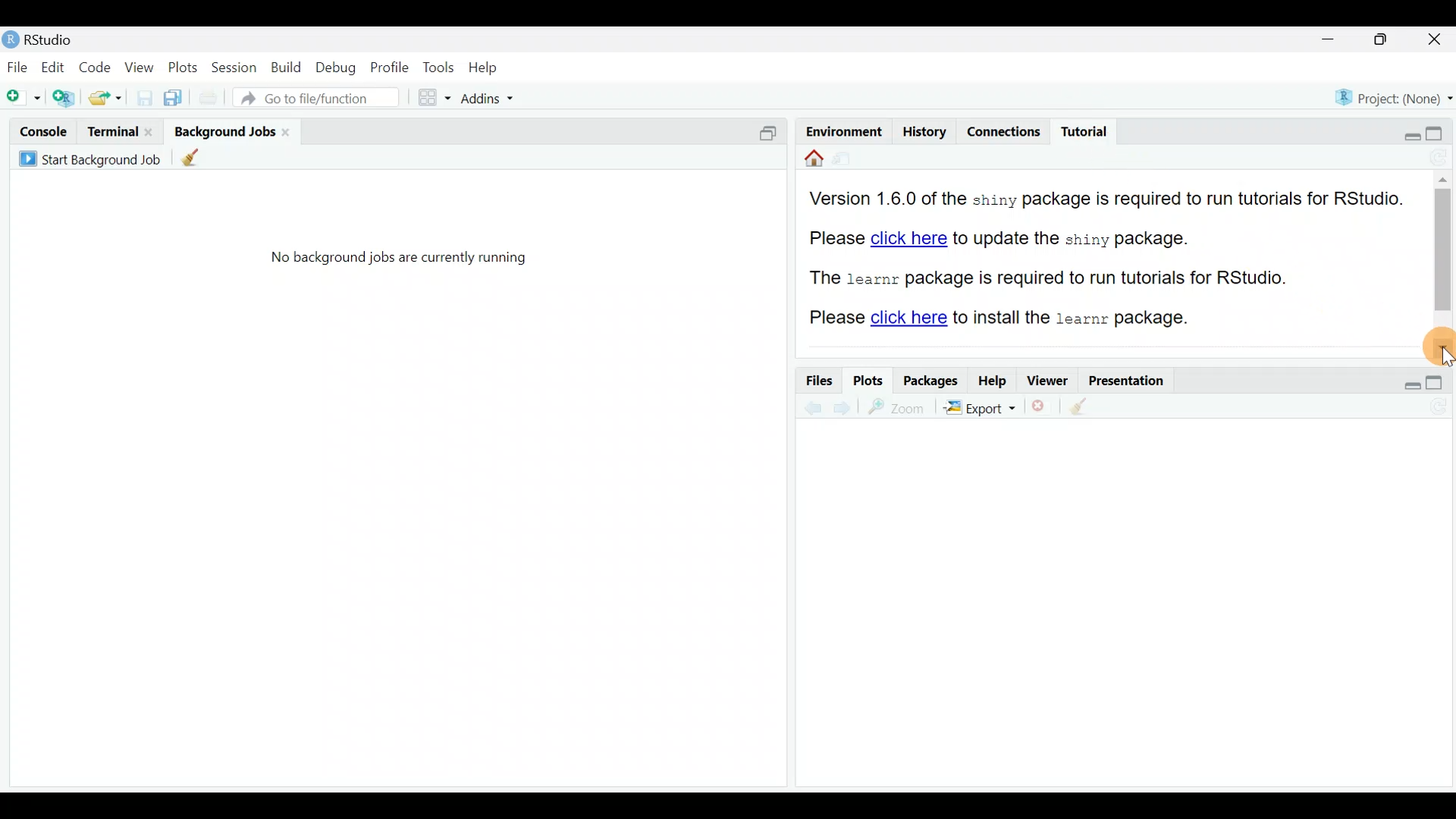  I want to click on Plots,, so click(183, 70).